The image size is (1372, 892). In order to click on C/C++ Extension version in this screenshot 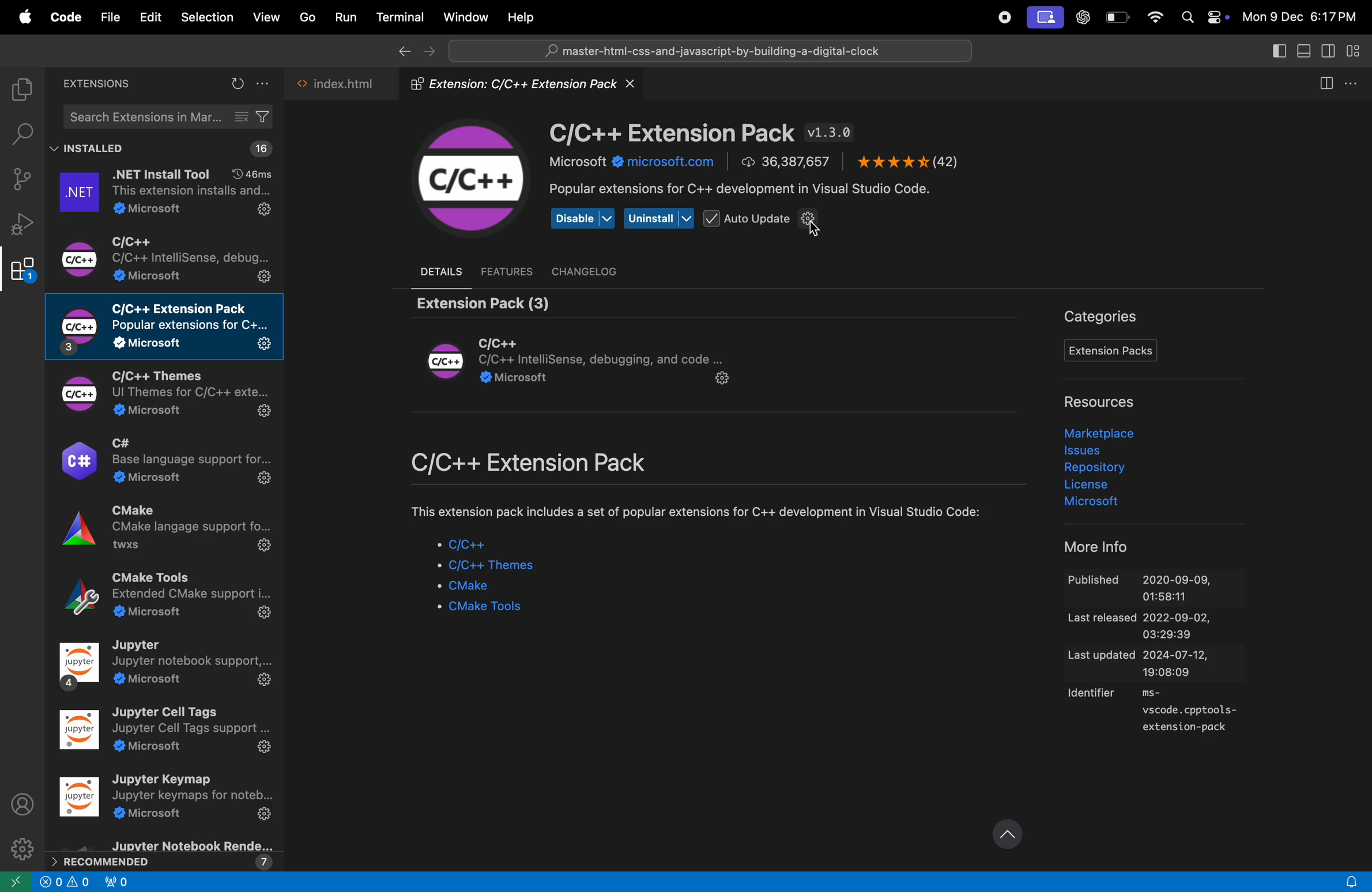, I will do `click(703, 134)`.